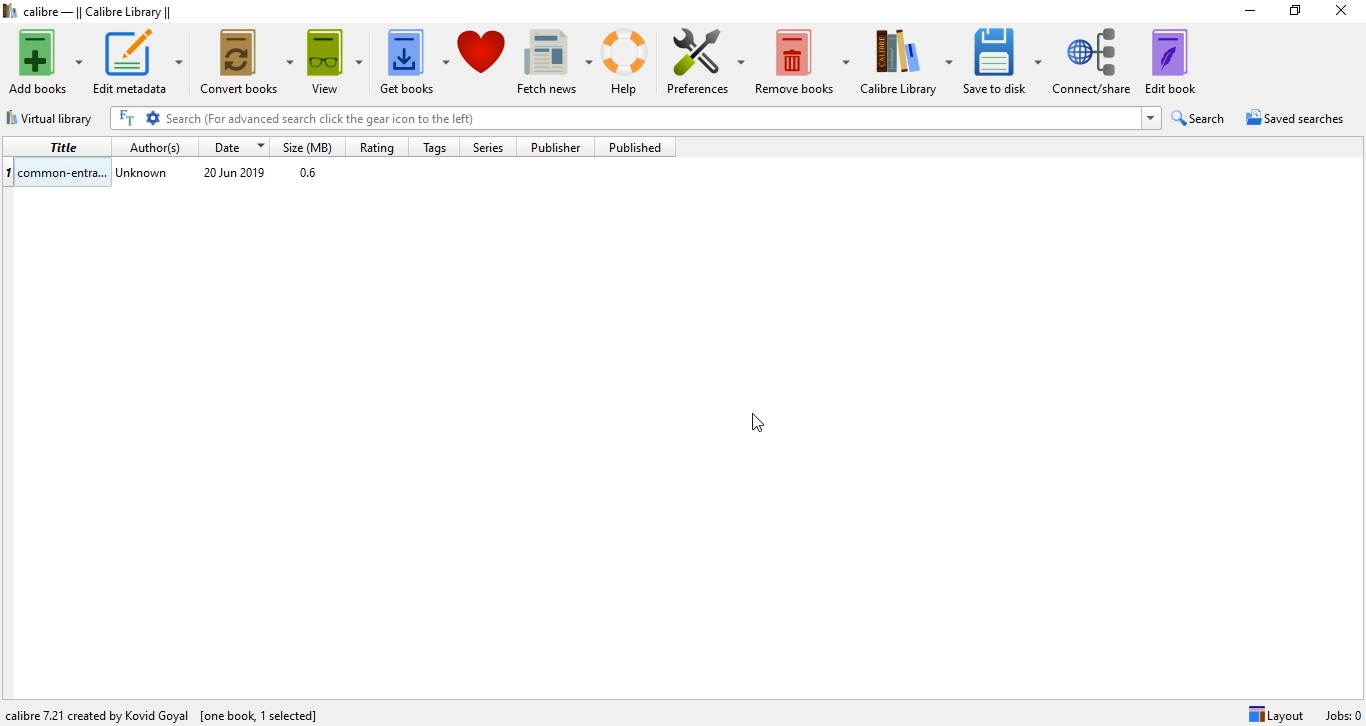  Describe the element at coordinates (1298, 120) in the screenshot. I see `Saves searches` at that location.